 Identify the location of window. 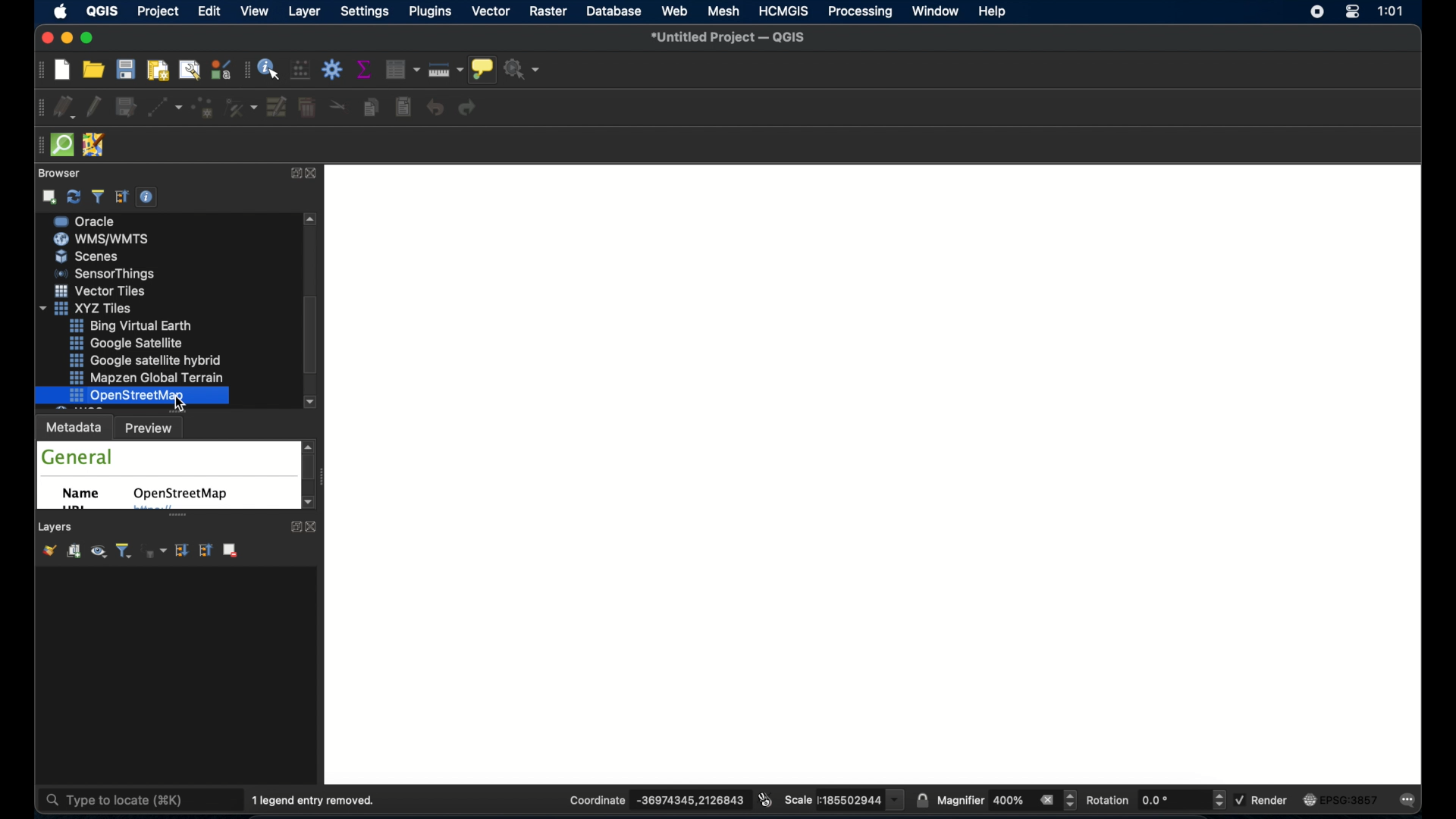
(934, 11).